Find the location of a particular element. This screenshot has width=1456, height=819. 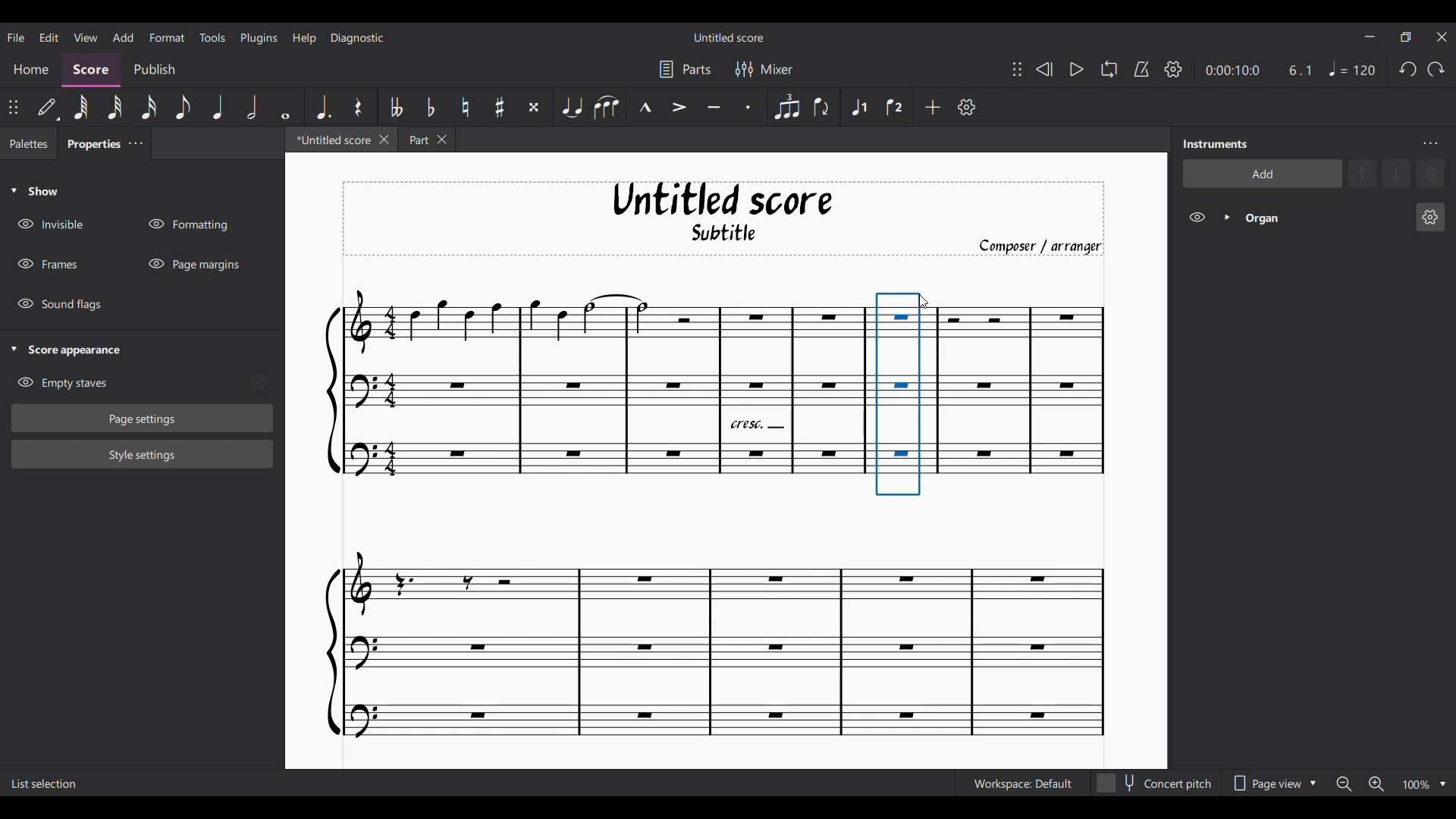

Toggle flat is located at coordinates (429, 106).